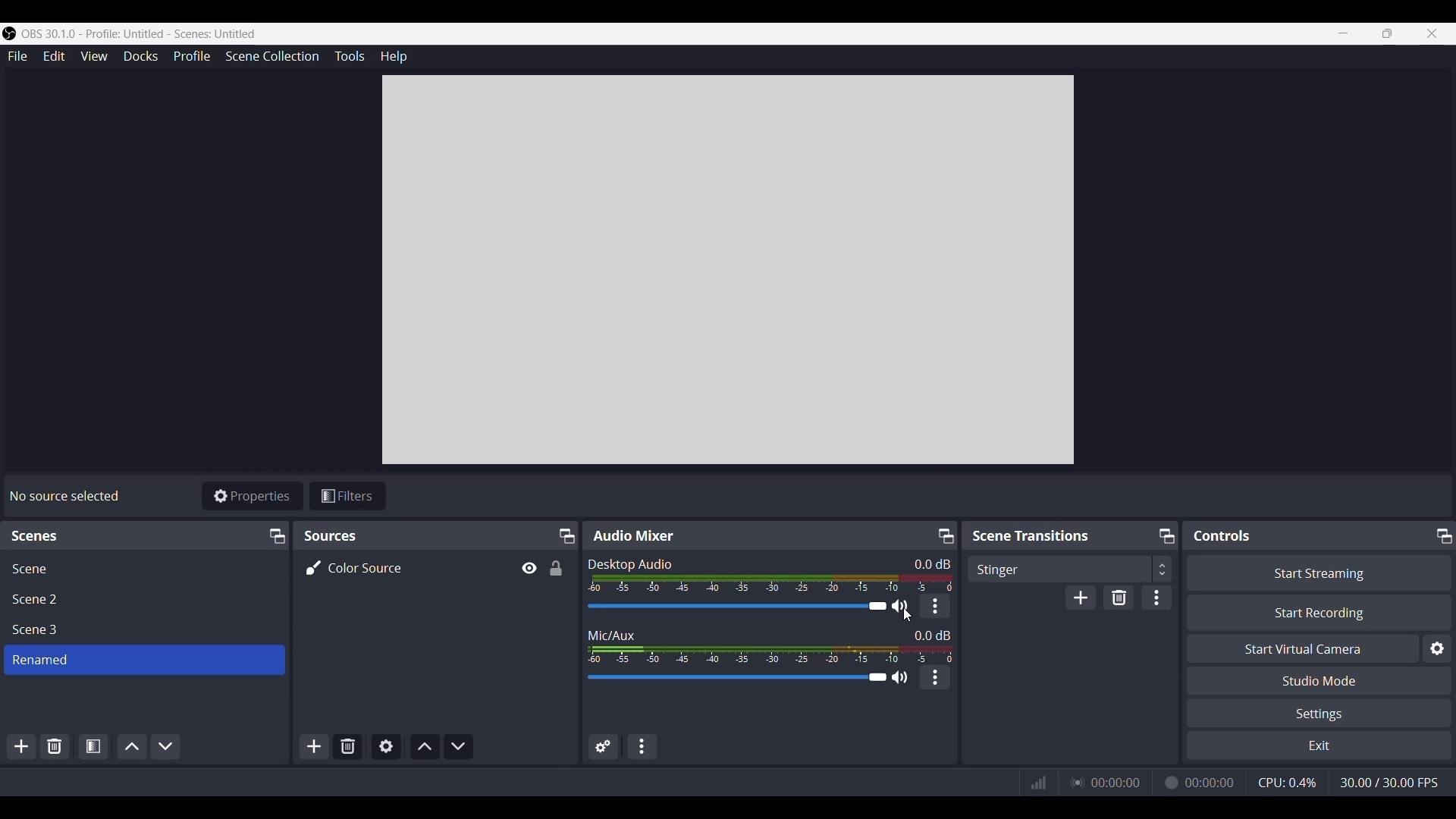  What do you see at coordinates (932, 635) in the screenshot?
I see `Current volume of Mic/Aux` at bounding box center [932, 635].